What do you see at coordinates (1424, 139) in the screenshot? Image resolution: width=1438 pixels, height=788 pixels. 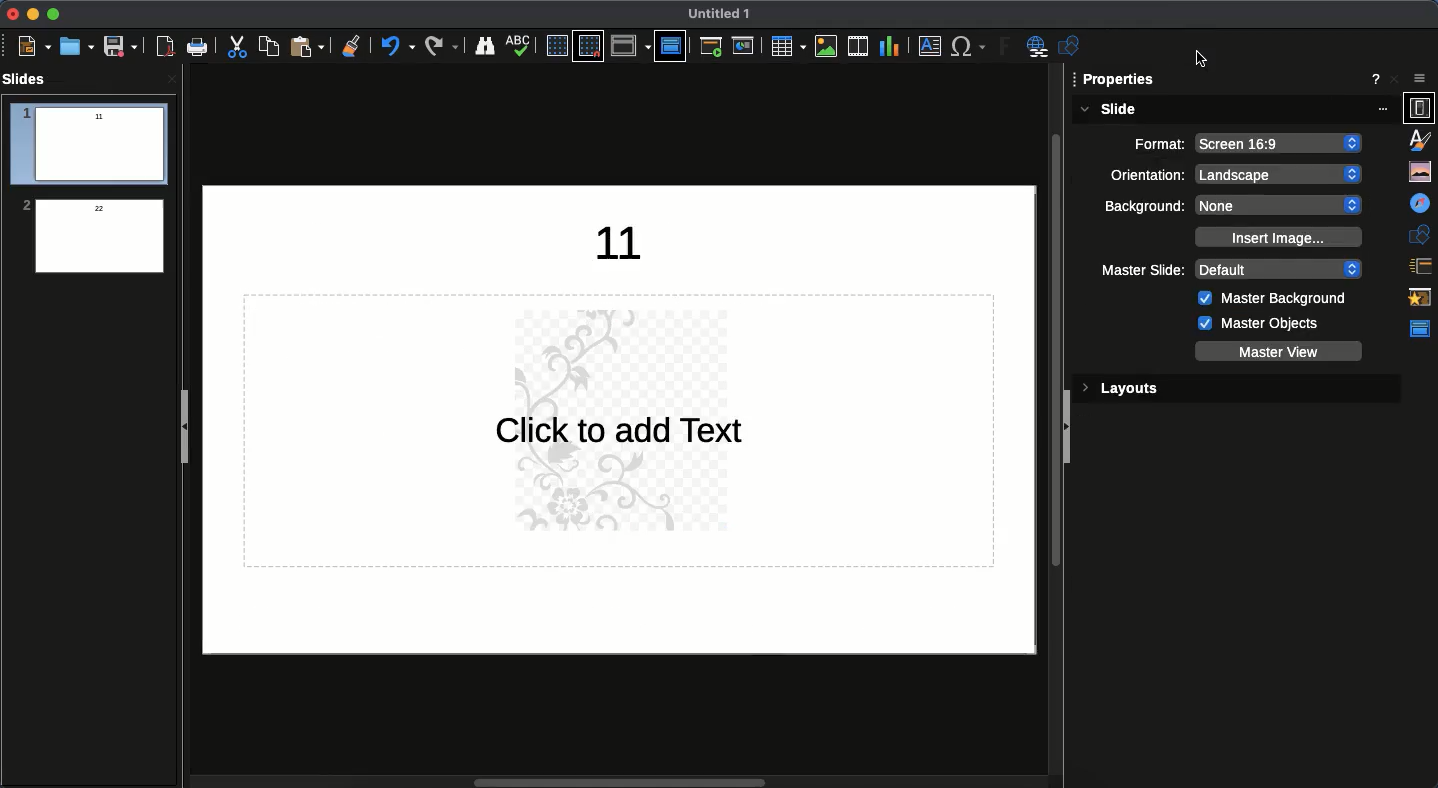 I see `Styles` at bounding box center [1424, 139].